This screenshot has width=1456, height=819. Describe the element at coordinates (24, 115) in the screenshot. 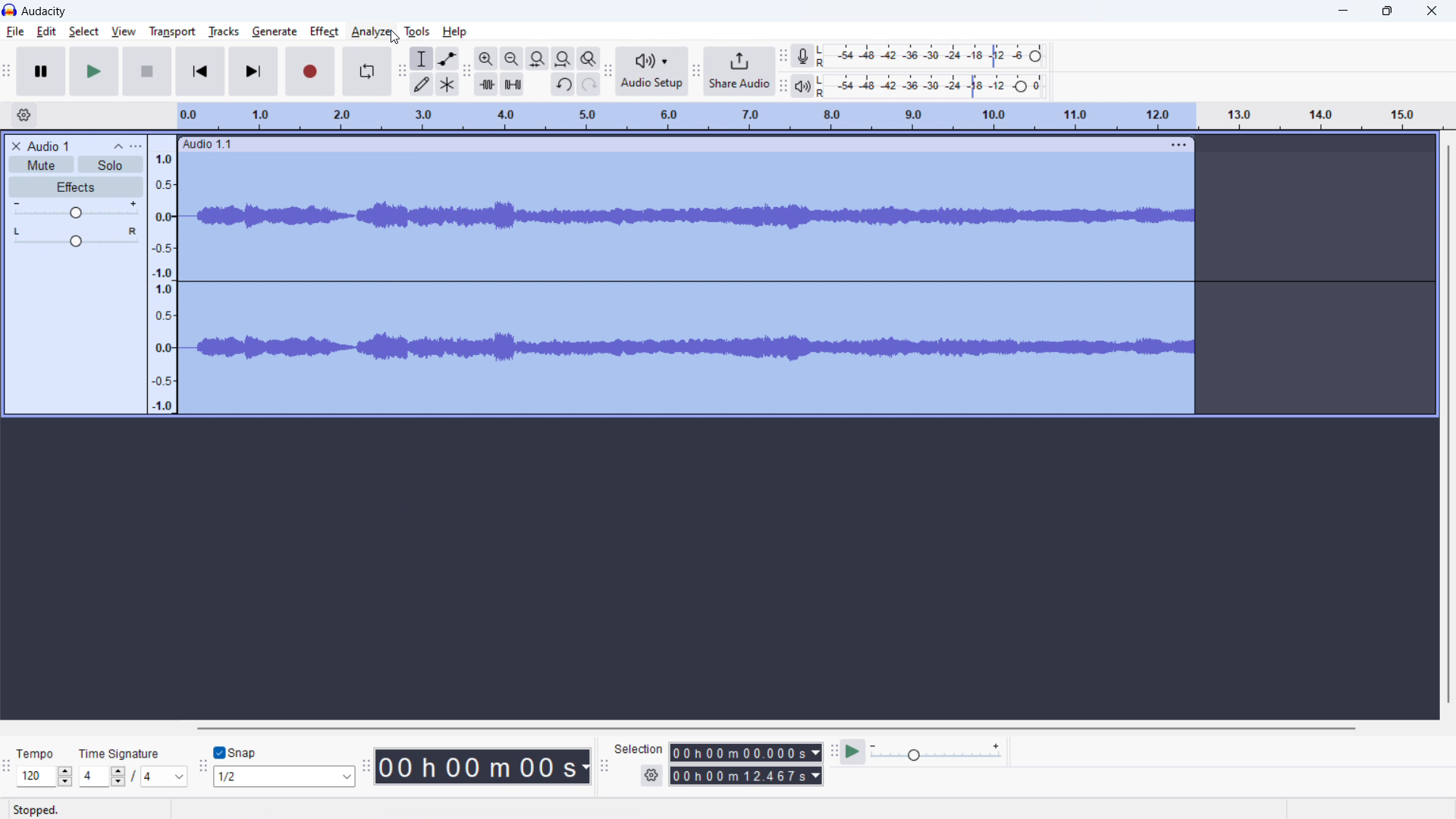

I see `timeline settings` at that location.